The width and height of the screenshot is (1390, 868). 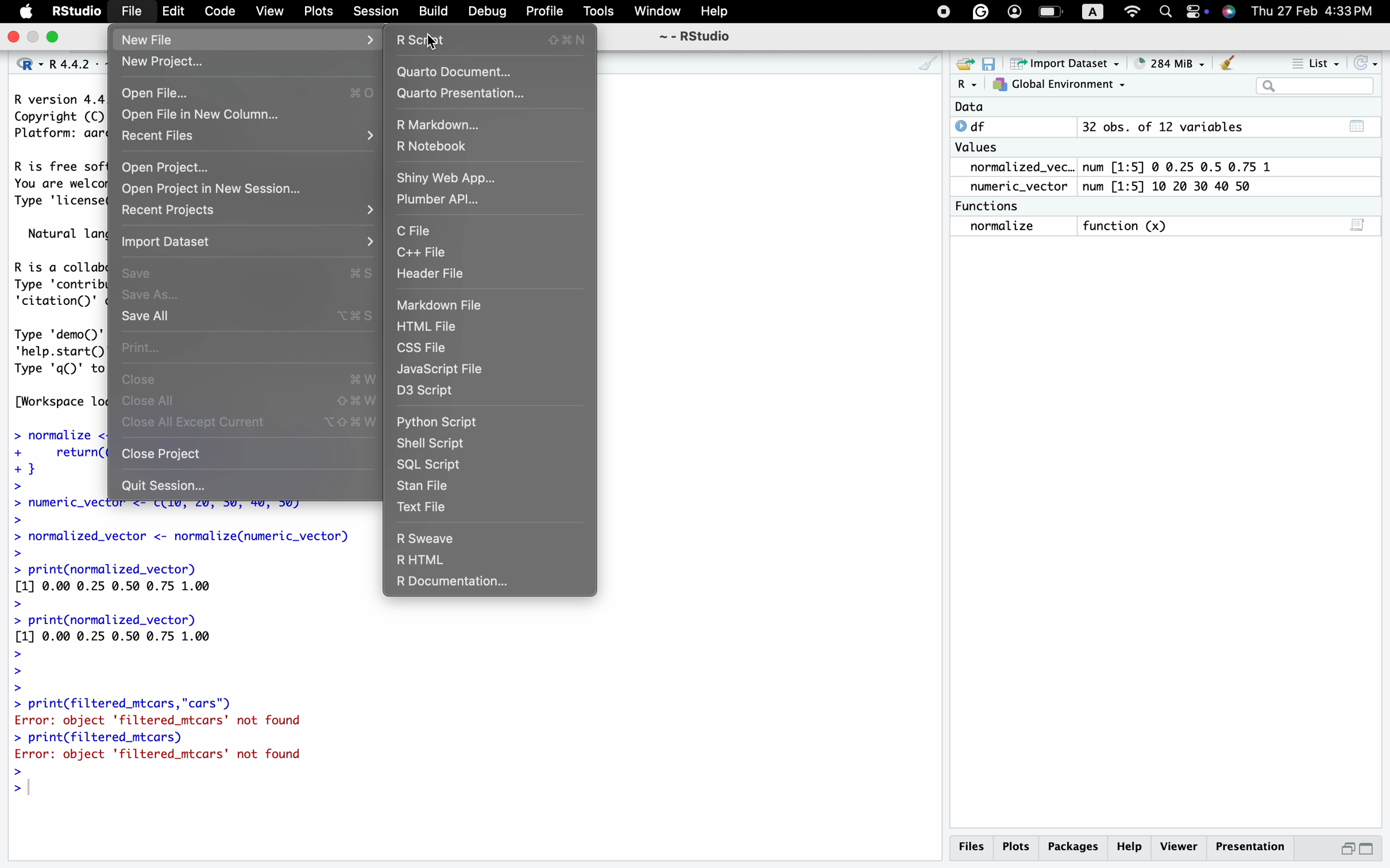 What do you see at coordinates (656, 12) in the screenshot?
I see `Window` at bounding box center [656, 12].